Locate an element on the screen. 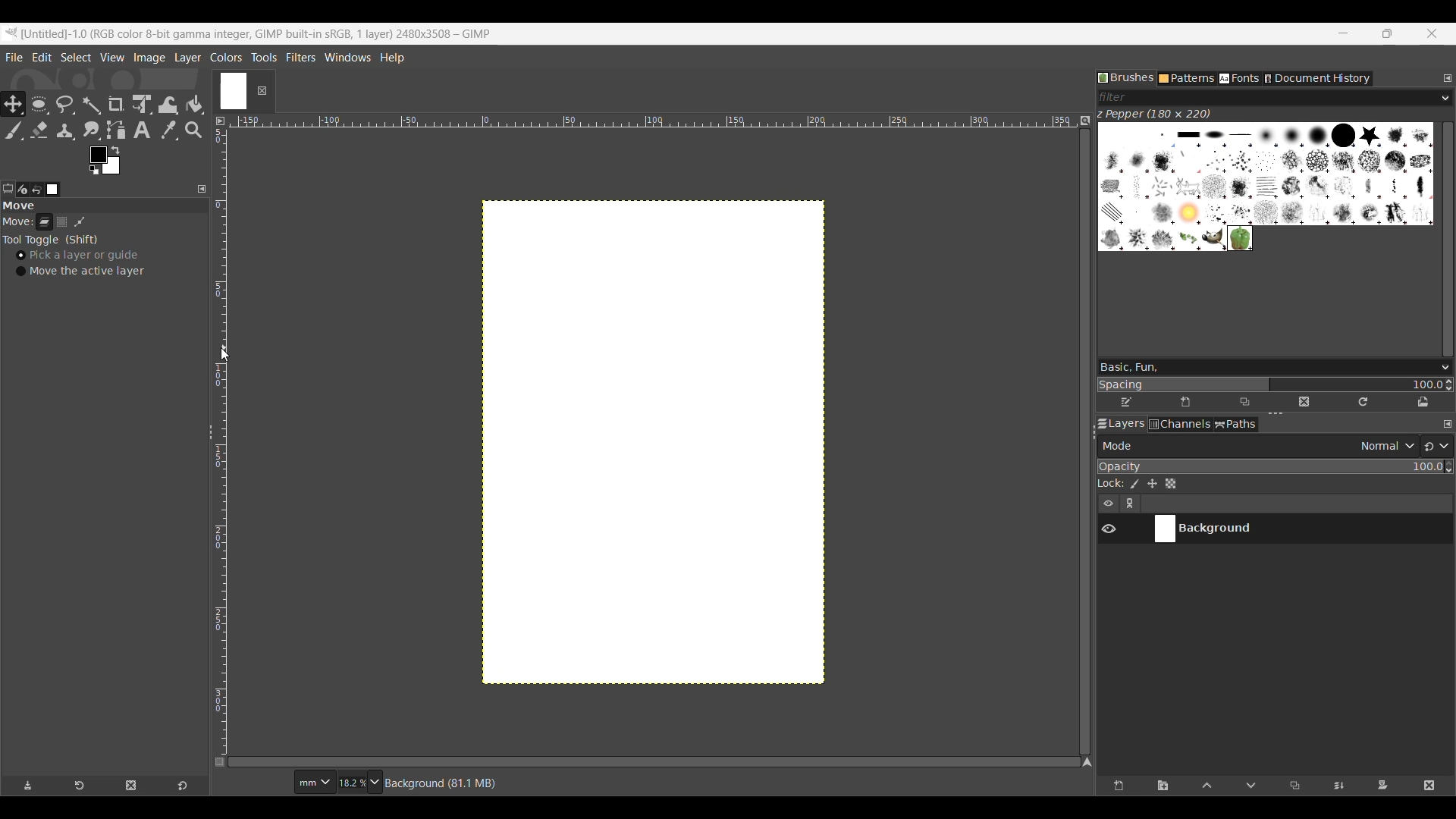  Merge layer with first visible layer below it is located at coordinates (1338, 786).